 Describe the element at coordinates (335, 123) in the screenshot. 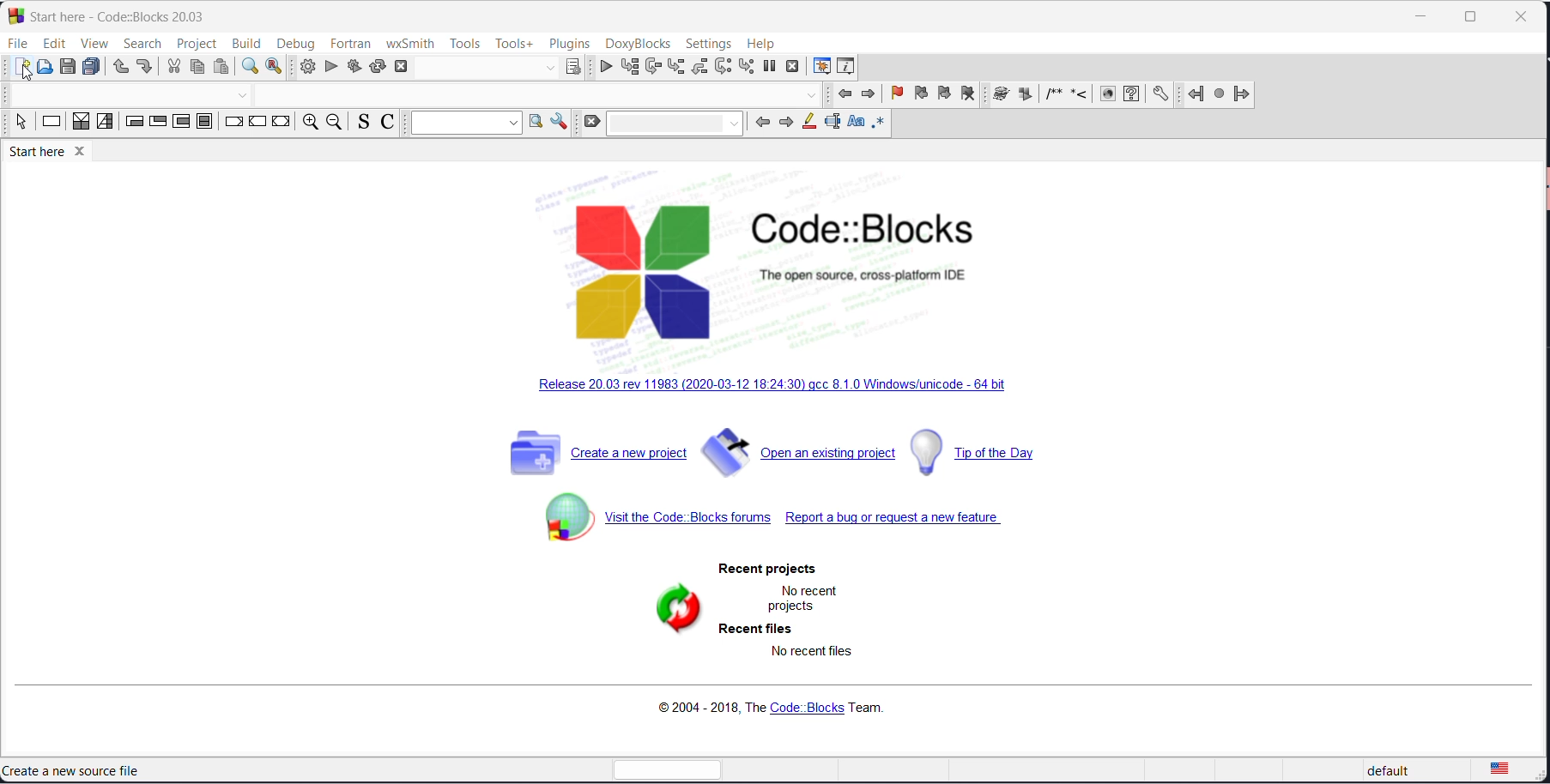

I see `zoom out` at that location.